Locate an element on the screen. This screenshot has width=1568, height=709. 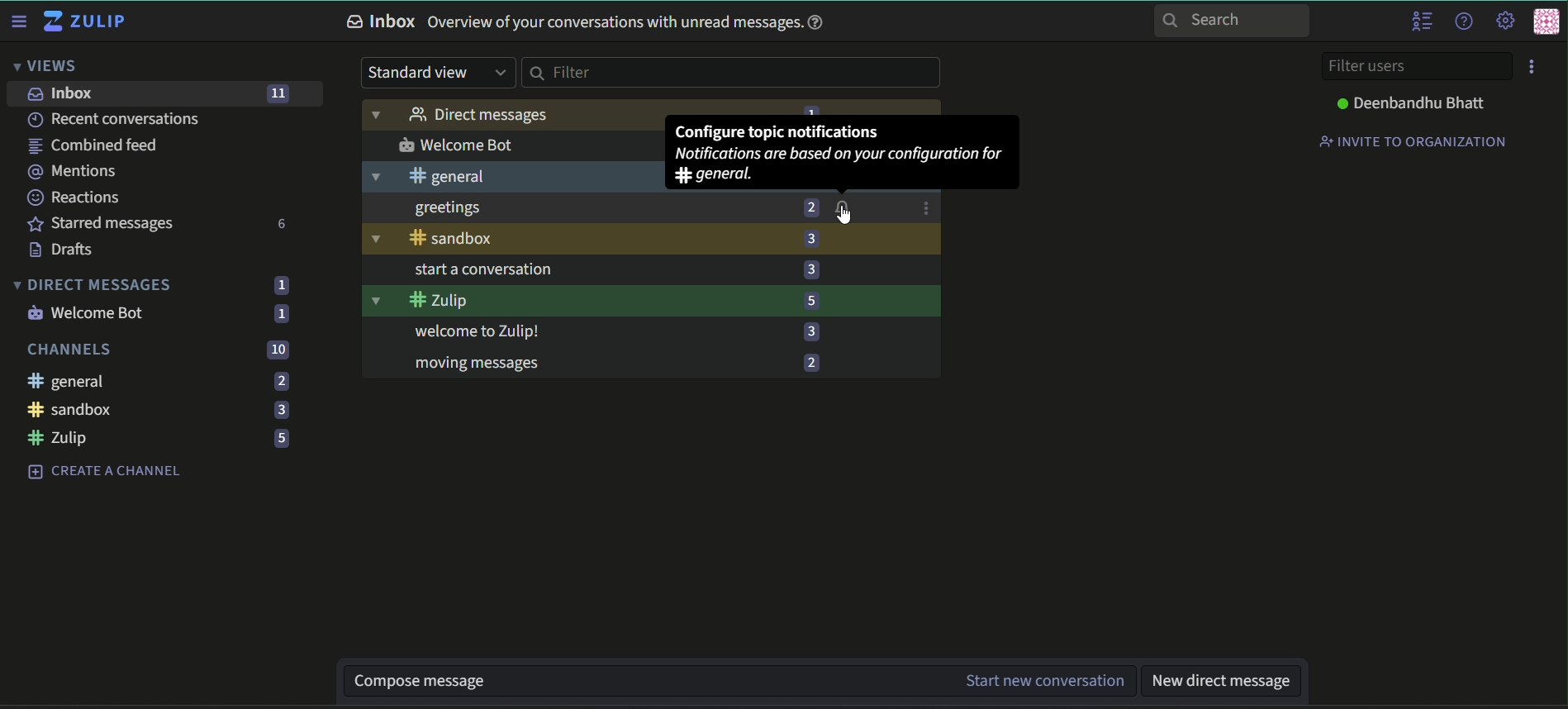
Reactions is located at coordinates (75, 198).